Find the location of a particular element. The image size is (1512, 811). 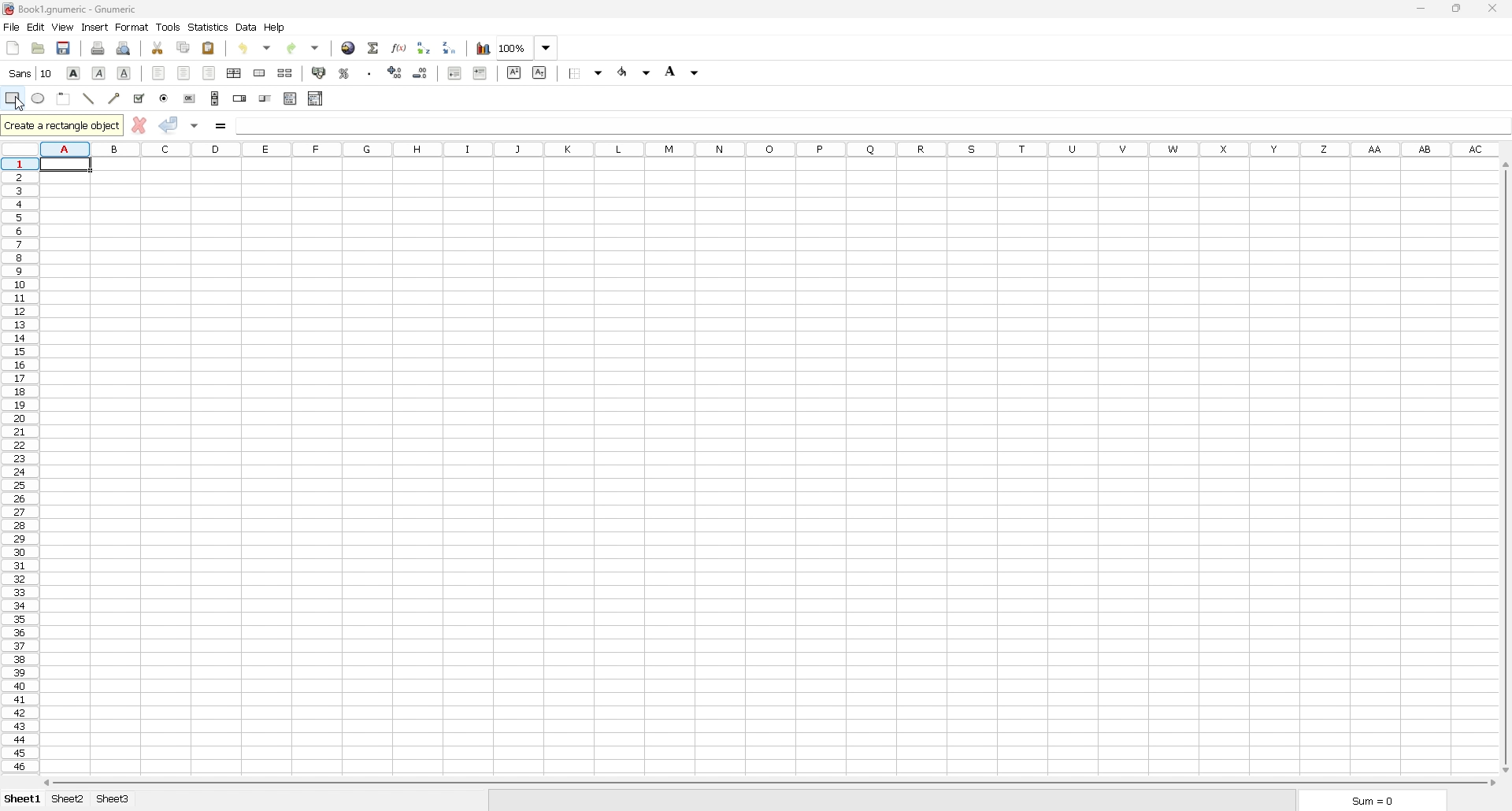

sort ascending is located at coordinates (424, 47).